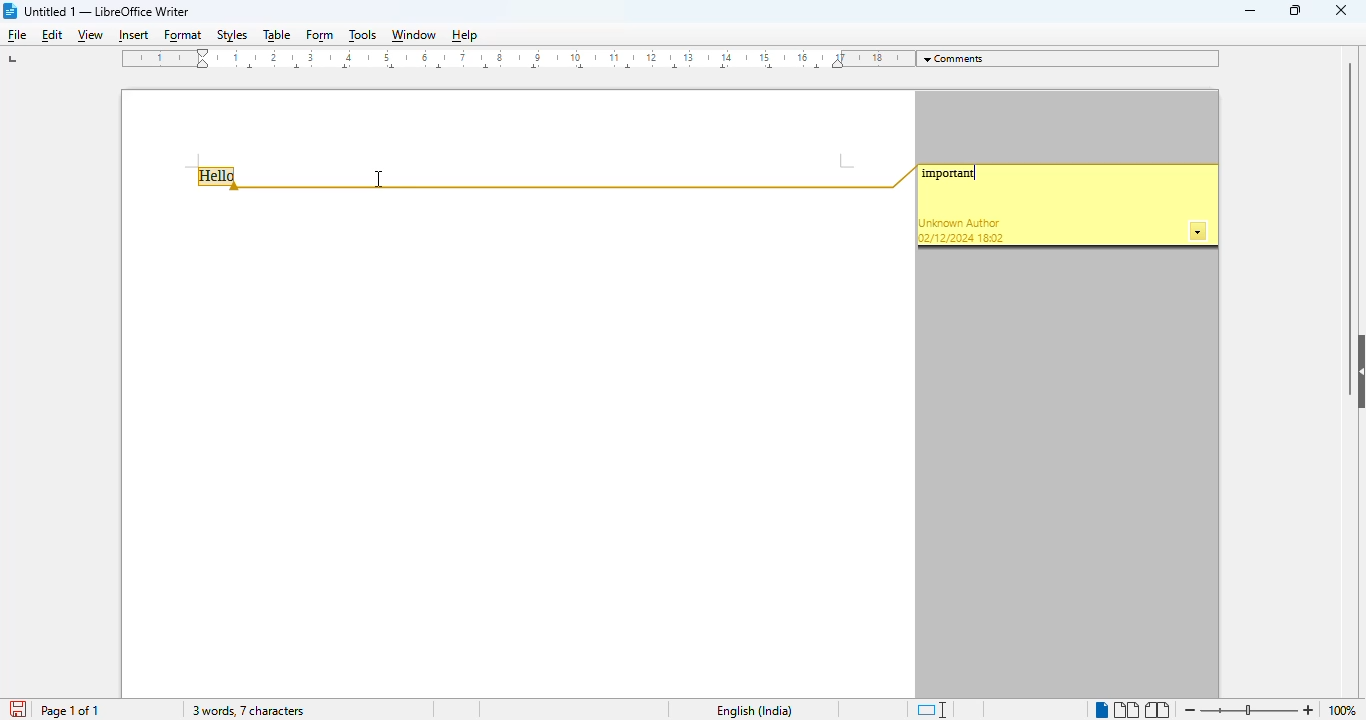 The width and height of the screenshot is (1366, 720). I want to click on zoom out, so click(1191, 710).